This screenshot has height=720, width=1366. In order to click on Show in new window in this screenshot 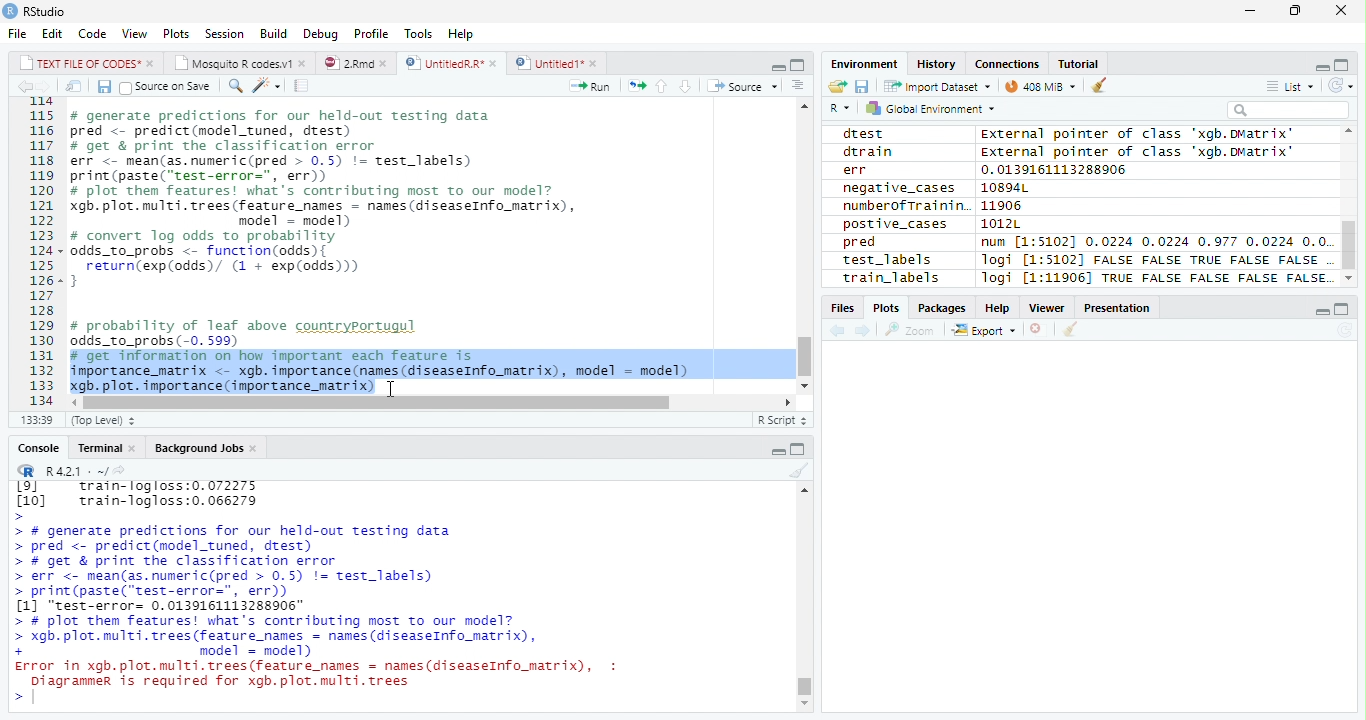, I will do `click(70, 86)`.